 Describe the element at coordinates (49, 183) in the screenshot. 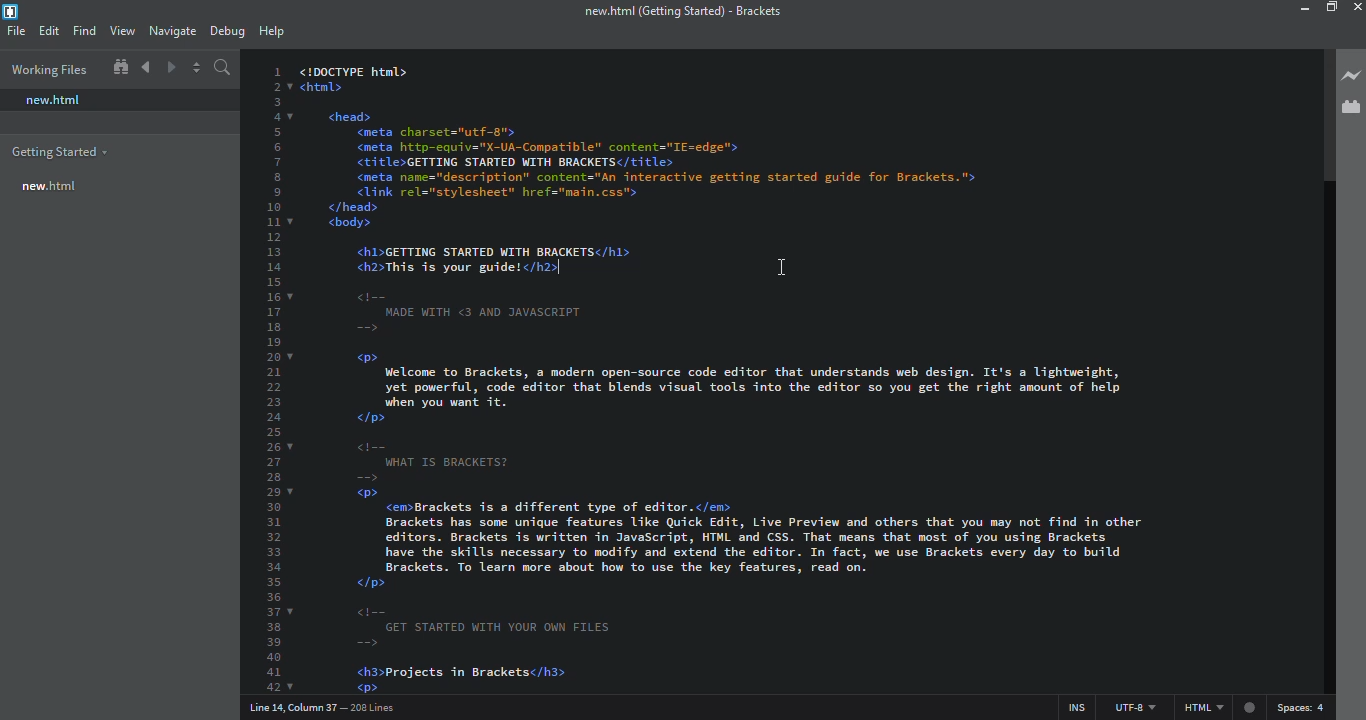

I see `new` at that location.